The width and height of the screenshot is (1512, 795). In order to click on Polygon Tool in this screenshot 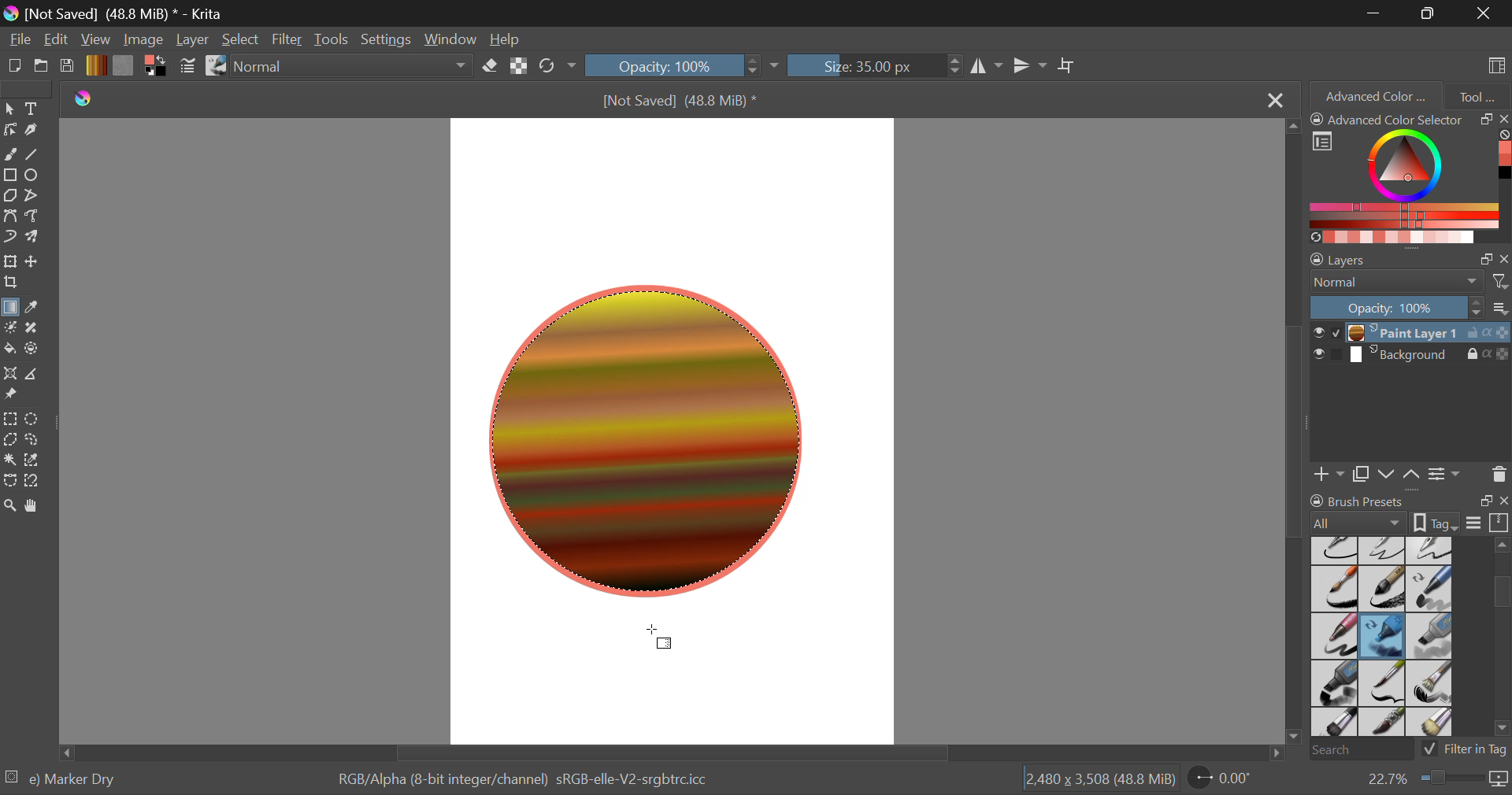, I will do `click(9, 196)`.